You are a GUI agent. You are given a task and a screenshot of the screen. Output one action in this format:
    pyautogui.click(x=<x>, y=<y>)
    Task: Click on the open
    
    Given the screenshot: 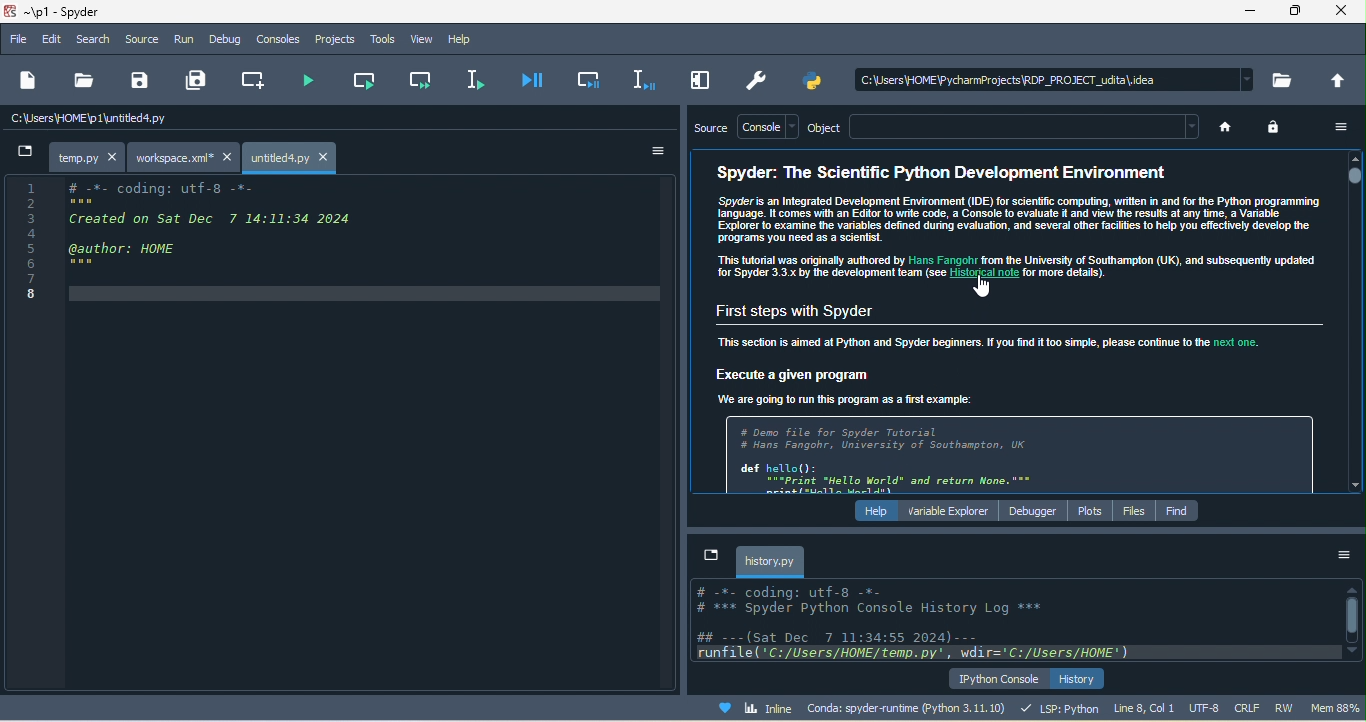 What is the action you would take?
    pyautogui.click(x=80, y=82)
    